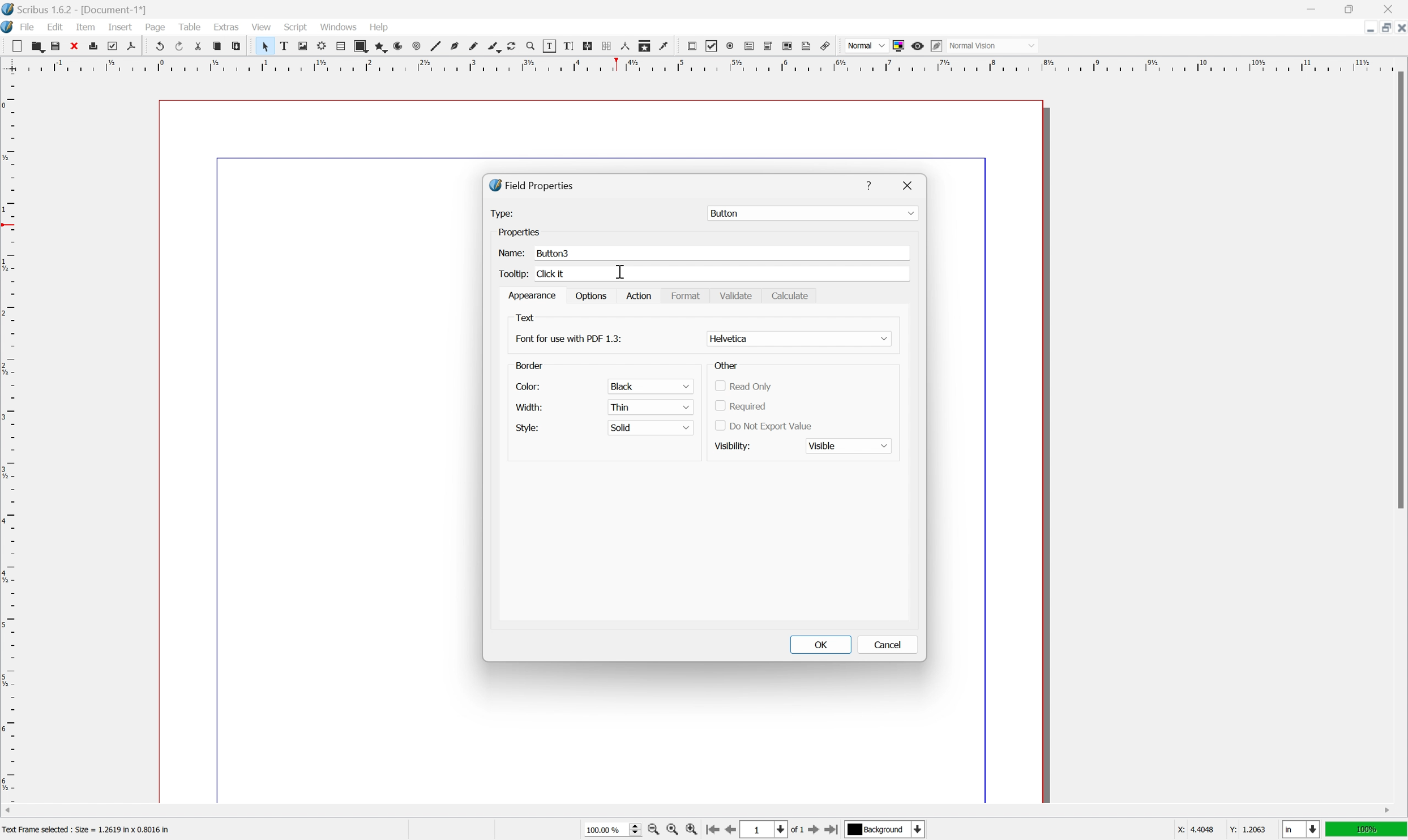 This screenshot has height=840, width=1408. Describe the element at coordinates (727, 366) in the screenshot. I see `Other` at that location.